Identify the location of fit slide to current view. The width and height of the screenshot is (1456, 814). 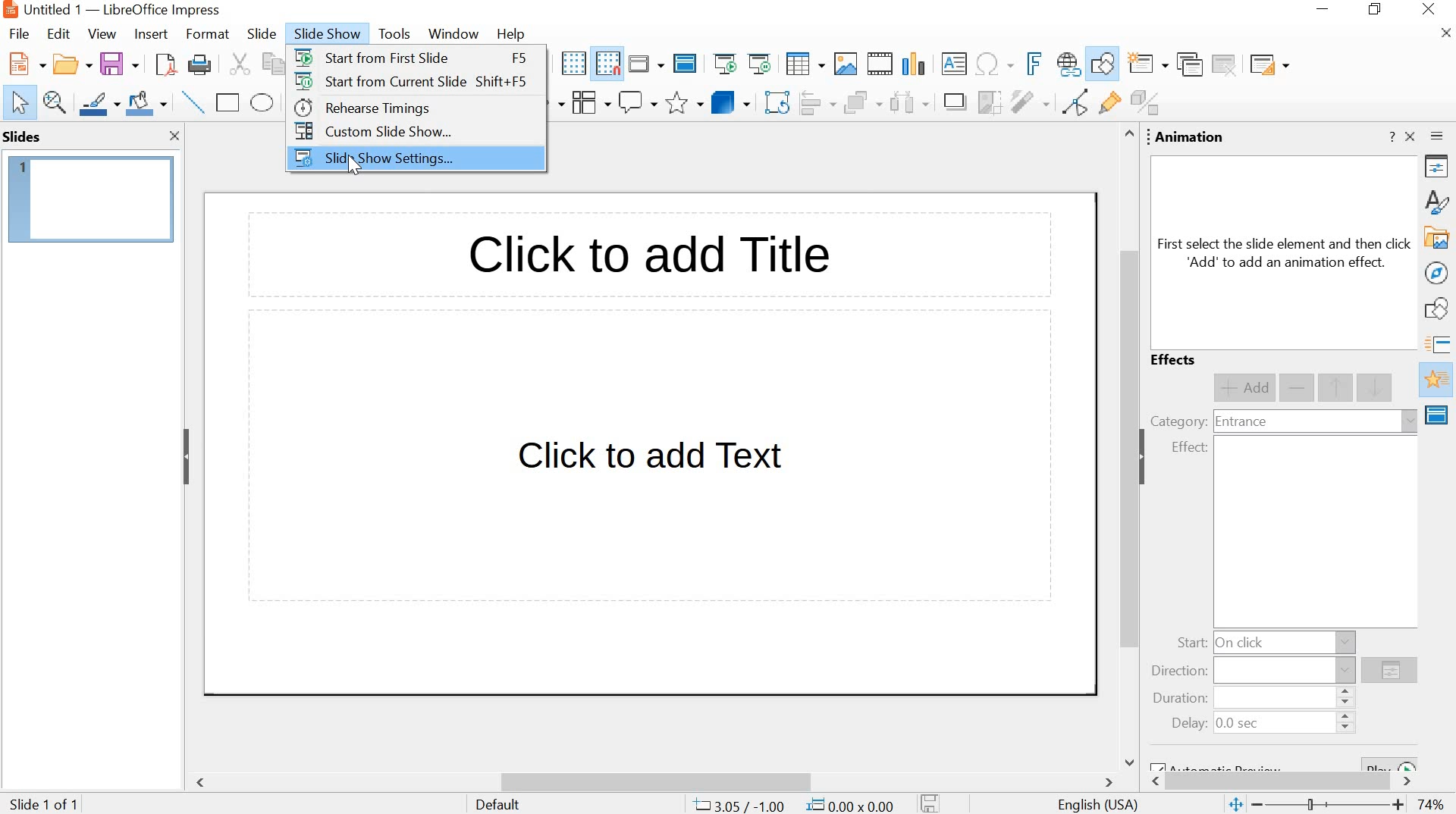
(1235, 806).